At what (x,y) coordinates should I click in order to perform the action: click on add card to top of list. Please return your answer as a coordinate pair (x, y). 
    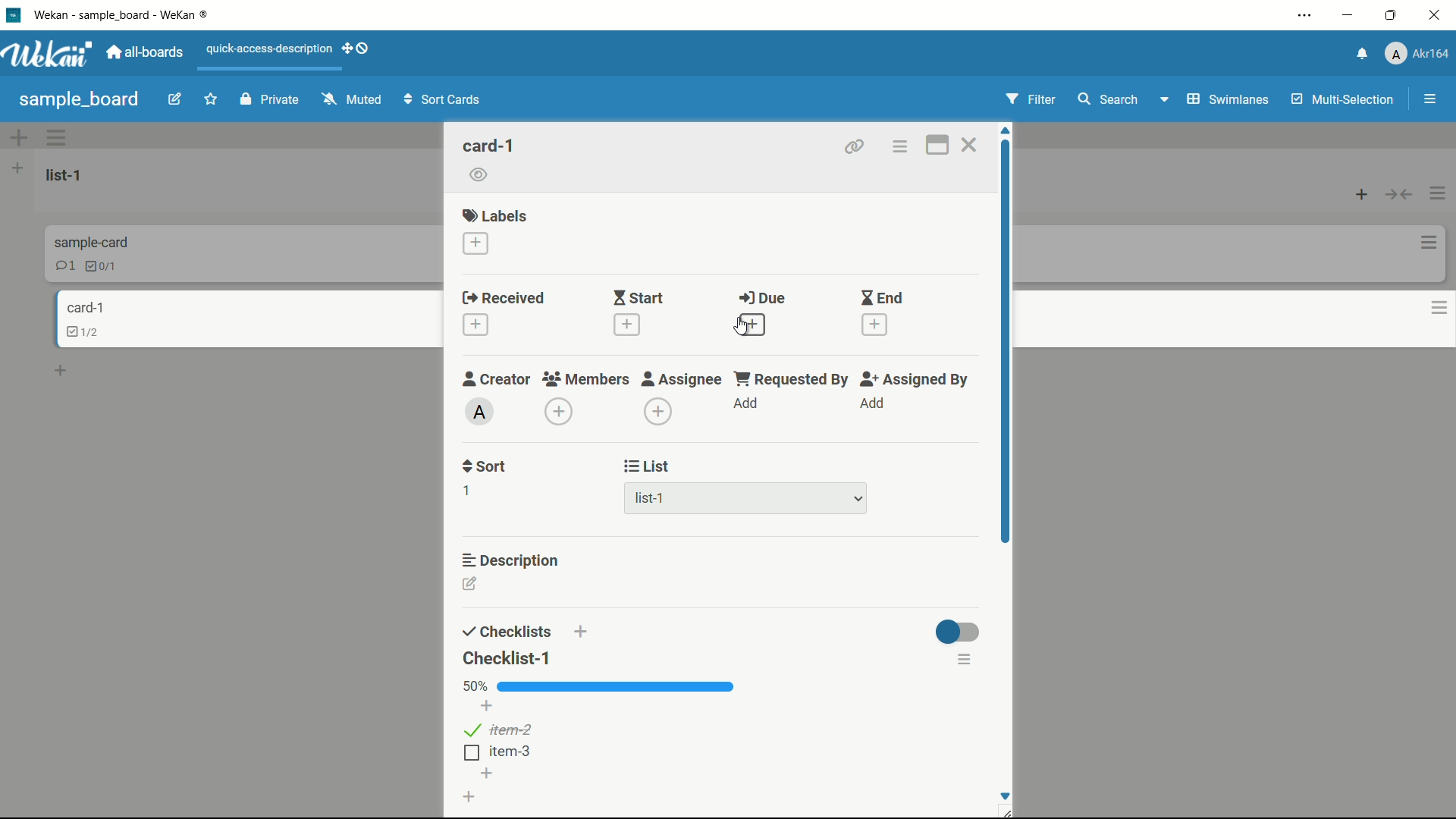
    Looking at the image, I should click on (1360, 189).